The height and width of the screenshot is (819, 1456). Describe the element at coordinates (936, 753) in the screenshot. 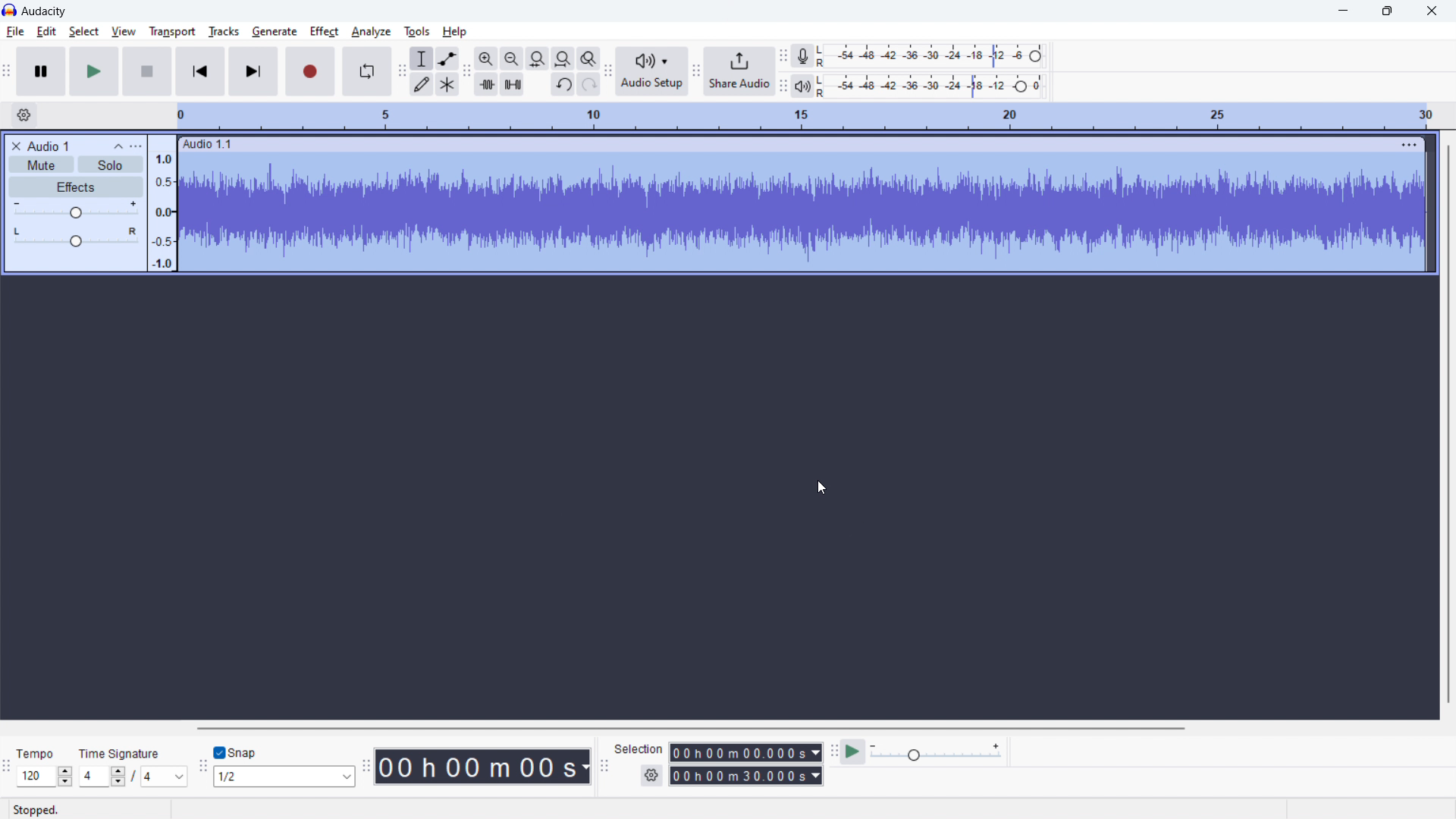

I see `playback speed` at that location.